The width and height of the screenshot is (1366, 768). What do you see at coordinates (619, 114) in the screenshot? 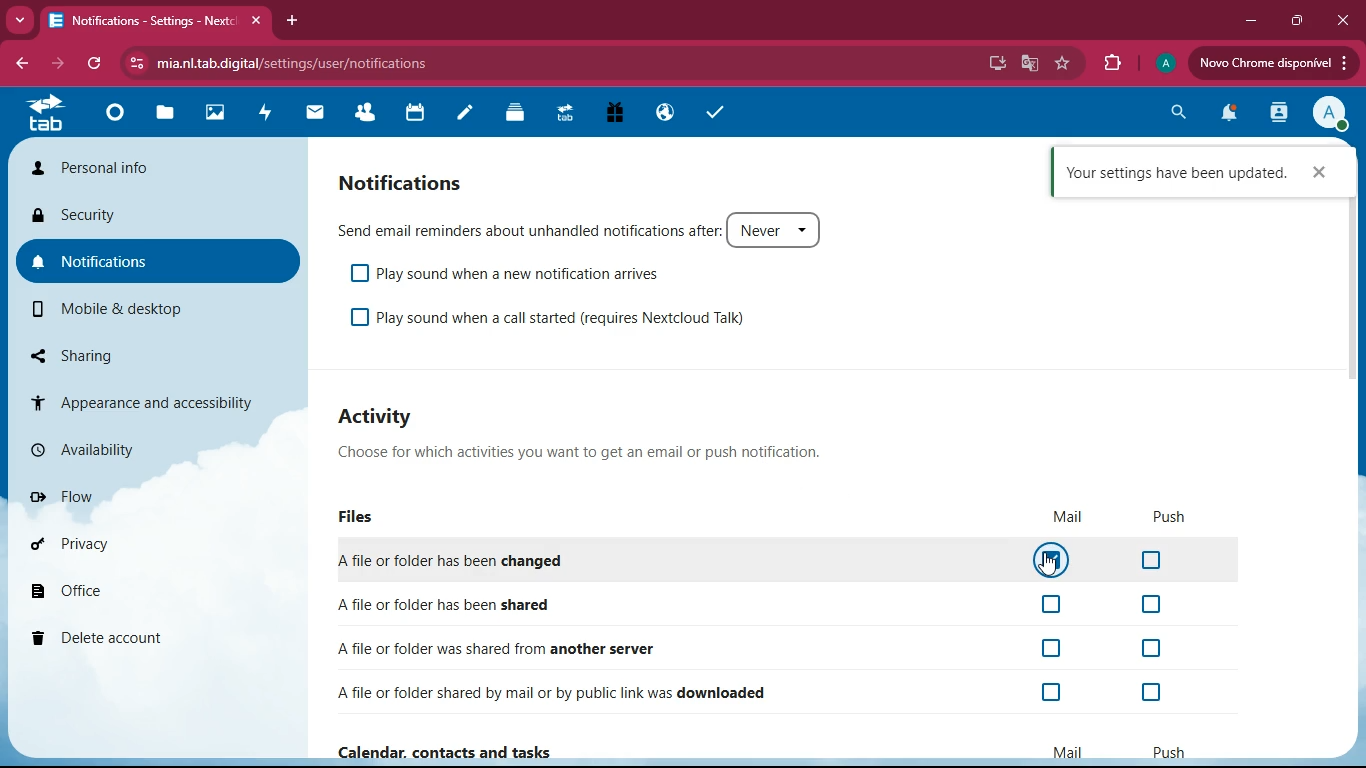
I see `gift` at bounding box center [619, 114].